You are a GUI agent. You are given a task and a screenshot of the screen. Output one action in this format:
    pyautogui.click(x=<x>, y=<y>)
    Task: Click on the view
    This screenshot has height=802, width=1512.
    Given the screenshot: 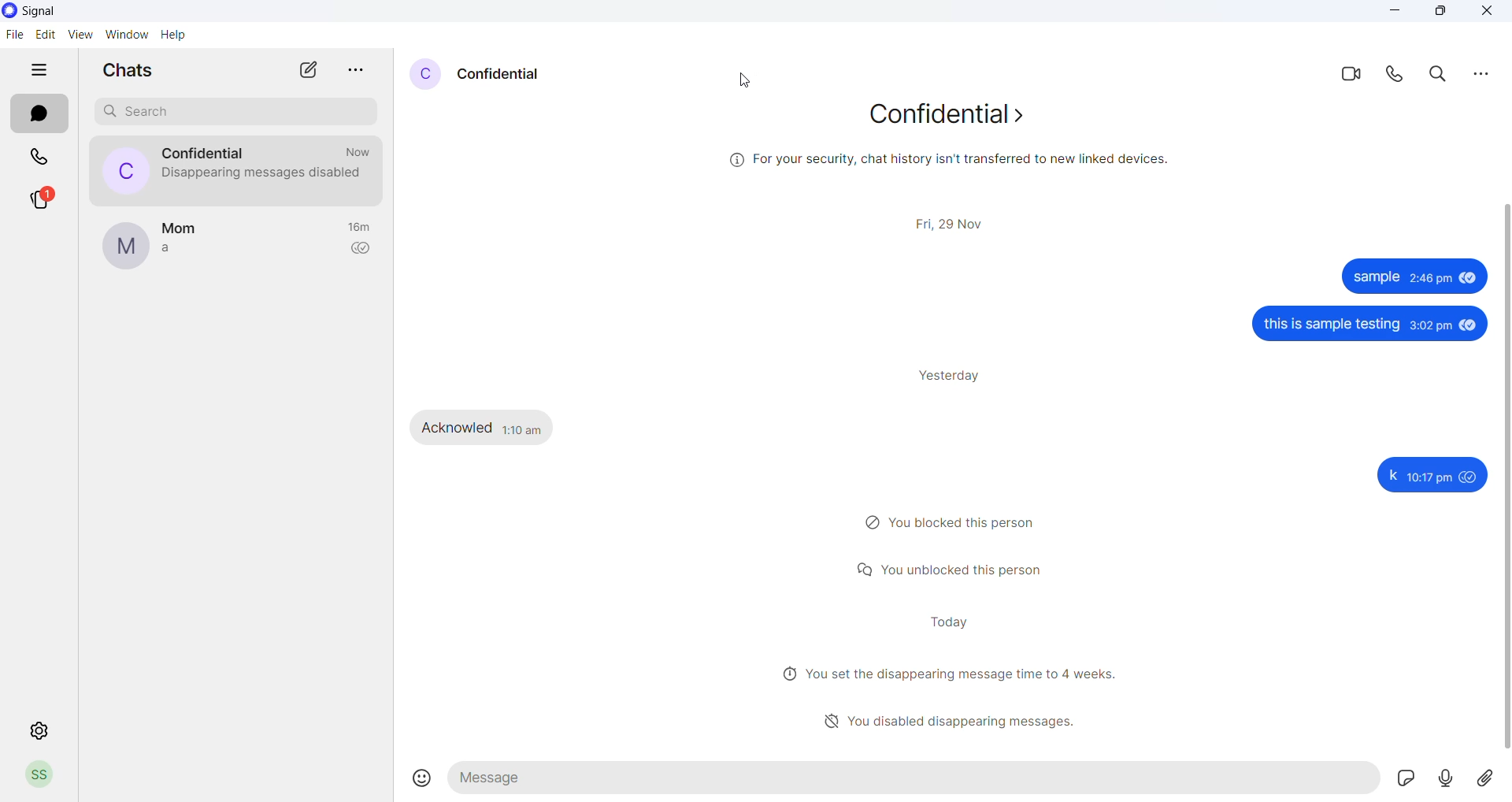 What is the action you would take?
    pyautogui.click(x=80, y=35)
    